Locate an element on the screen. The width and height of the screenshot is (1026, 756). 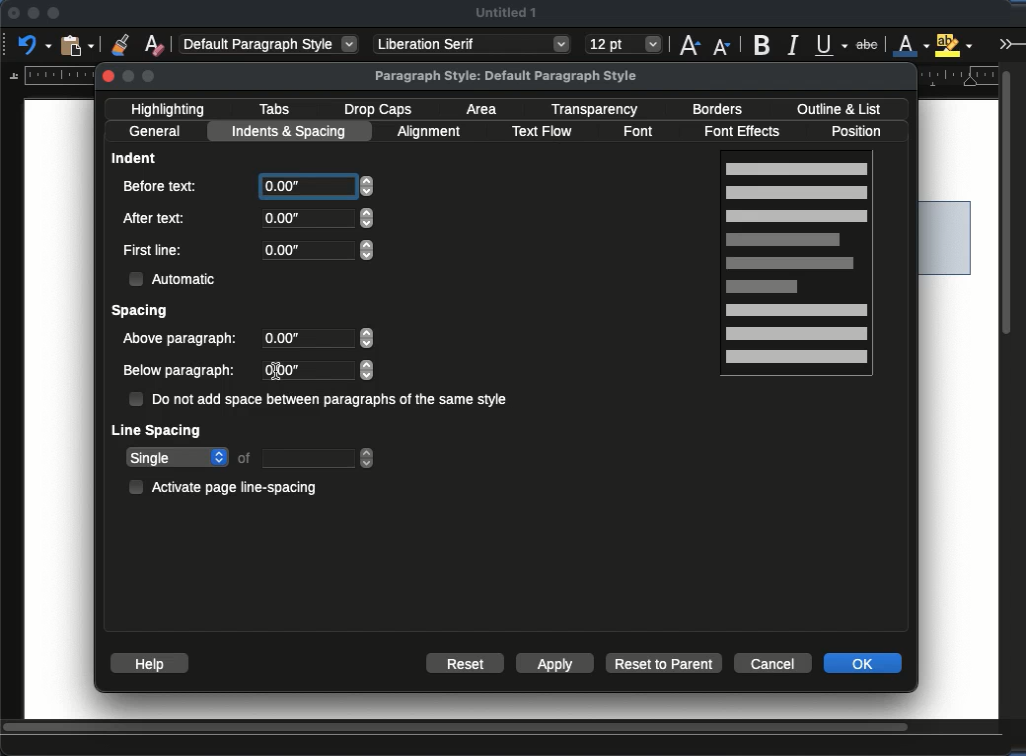
default paragraph style is located at coordinates (270, 43).